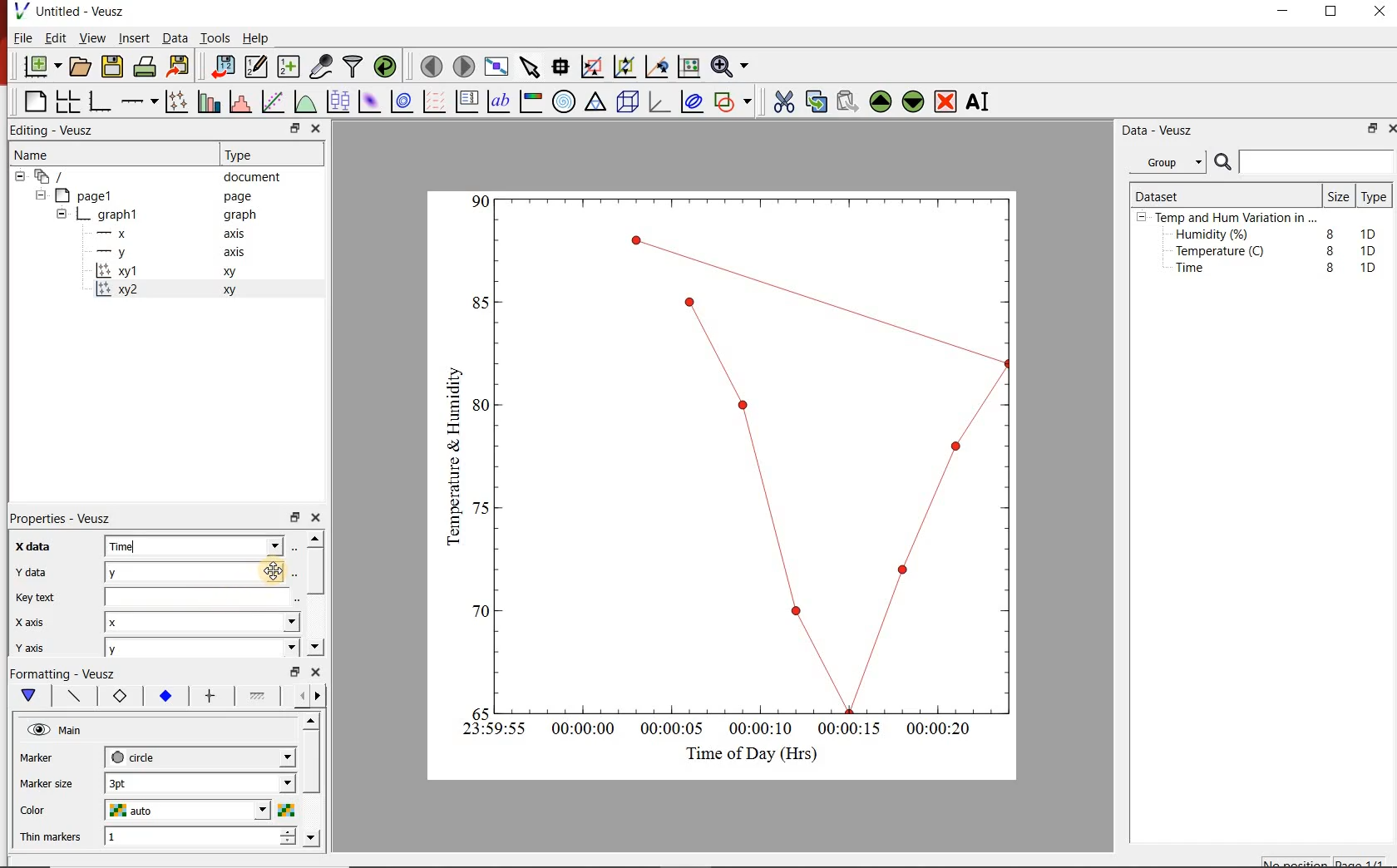 This screenshot has width=1397, height=868. I want to click on visible (click to hide, set Hide to true), so click(37, 731).